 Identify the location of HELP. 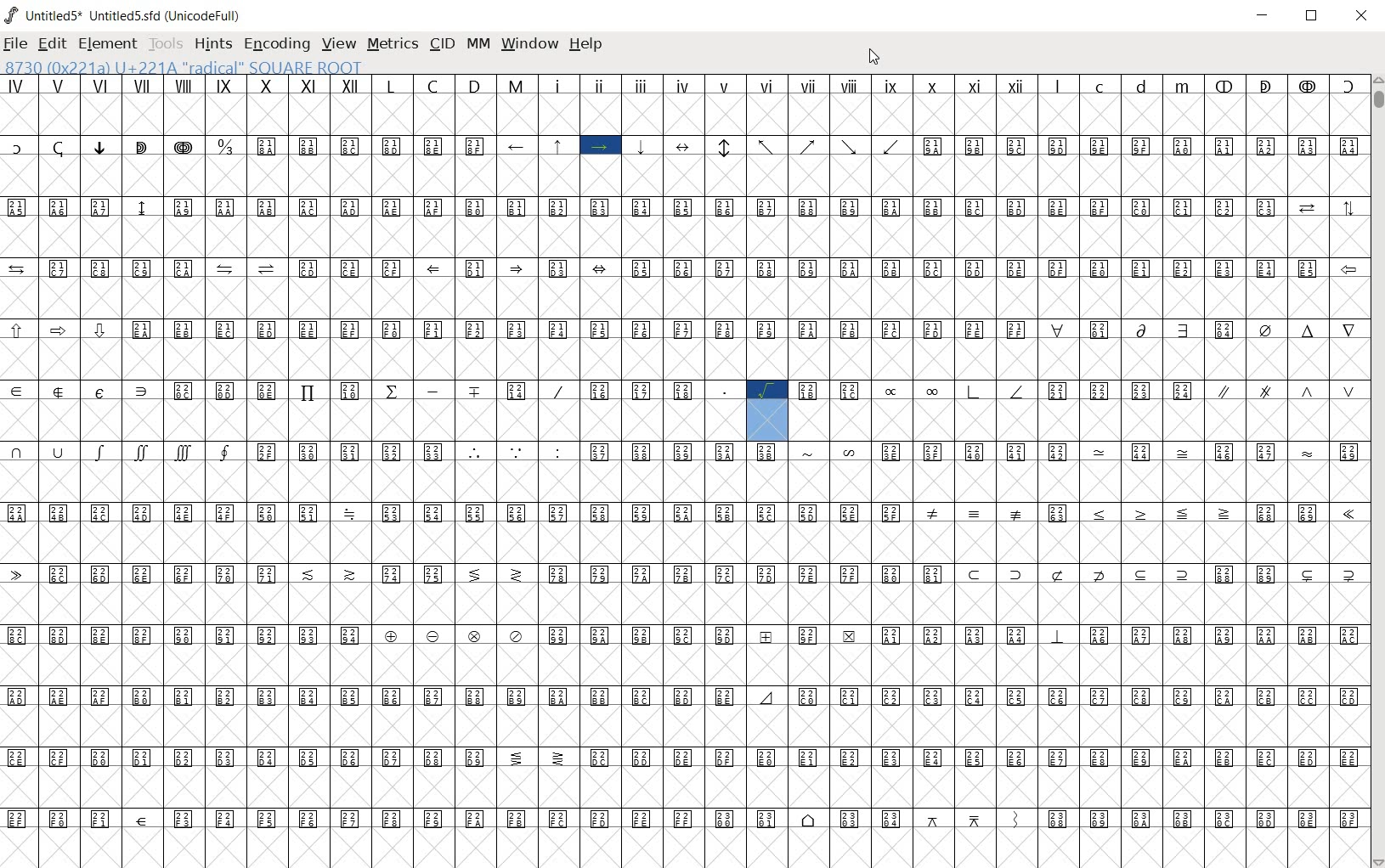
(589, 46).